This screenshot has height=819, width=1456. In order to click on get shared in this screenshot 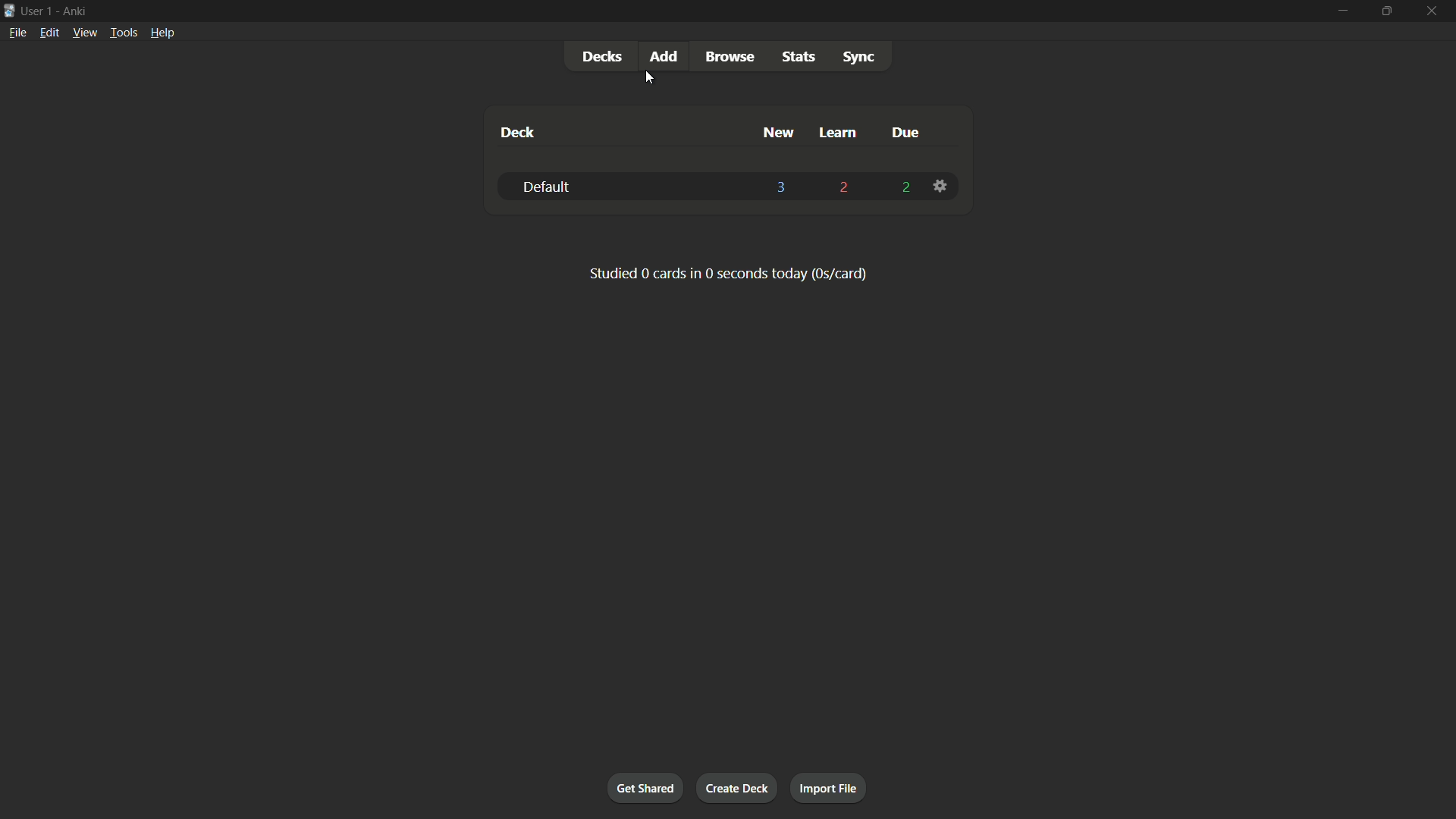, I will do `click(645, 787)`.